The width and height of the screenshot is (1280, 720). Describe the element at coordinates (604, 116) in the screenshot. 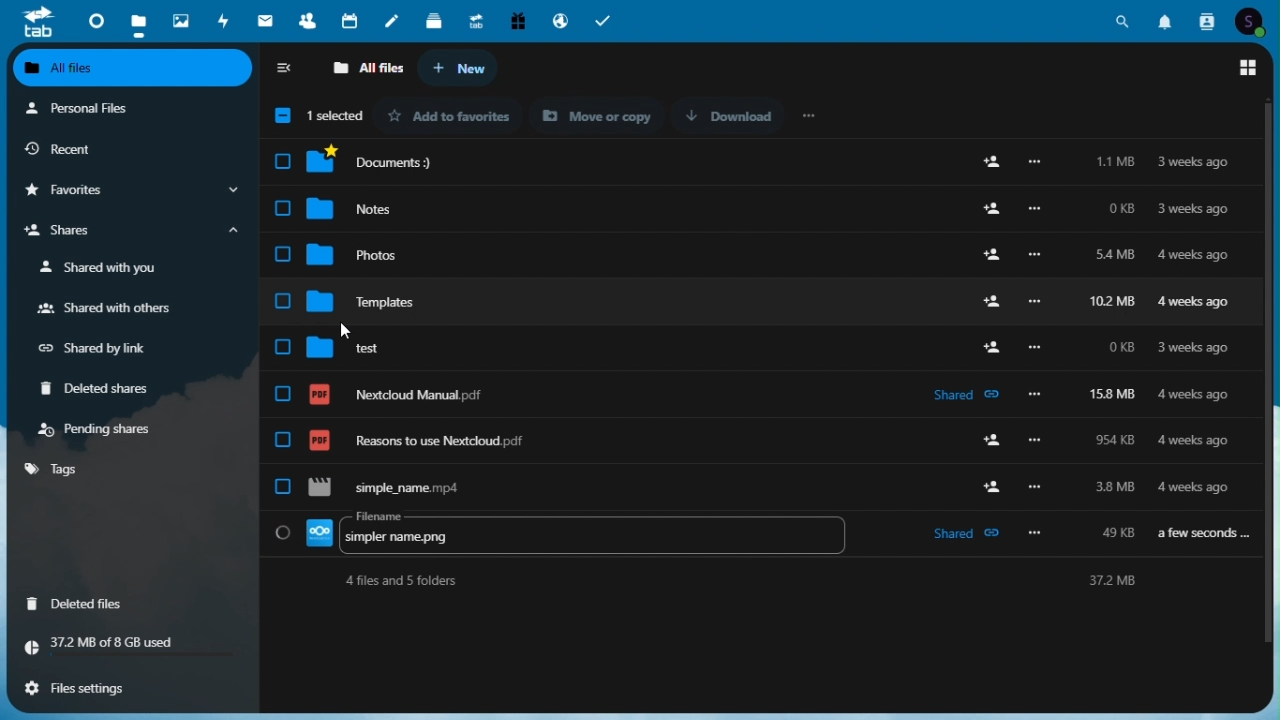

I see `Move or Copy` at that location.